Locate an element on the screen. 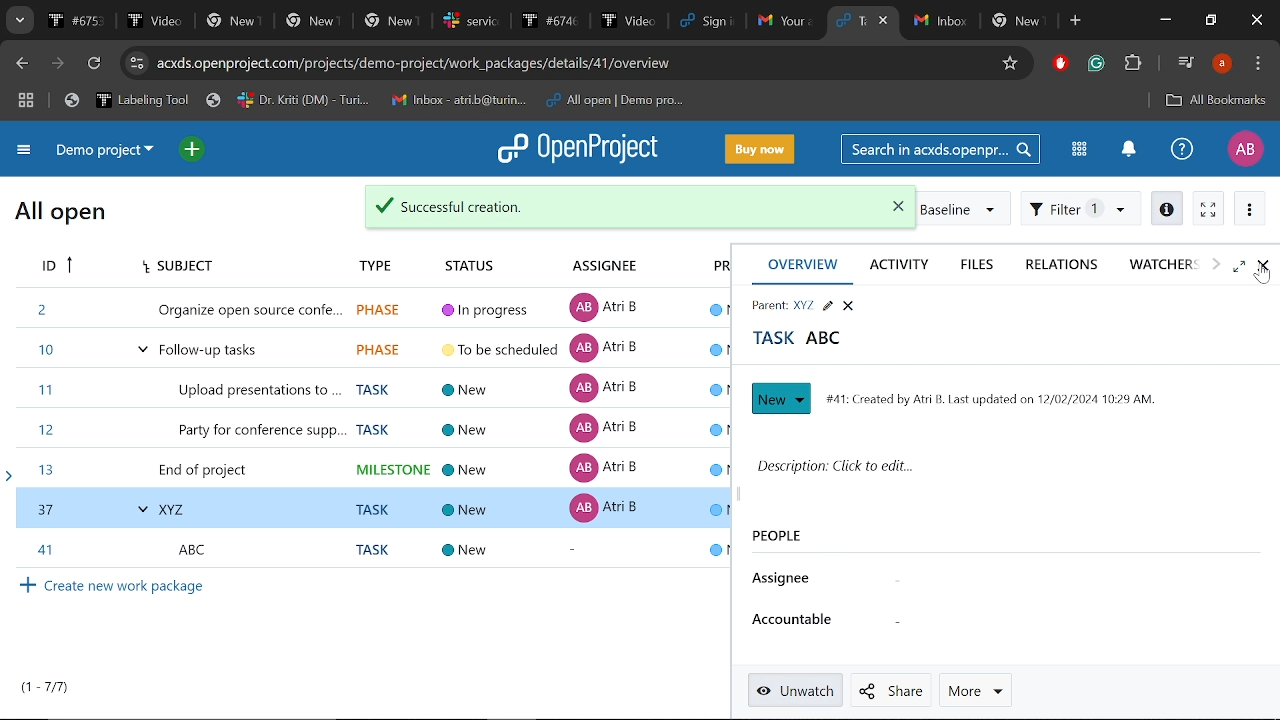 This screenshot has height=720, width=1280. Other tabs is located at coordinates (981, 22).